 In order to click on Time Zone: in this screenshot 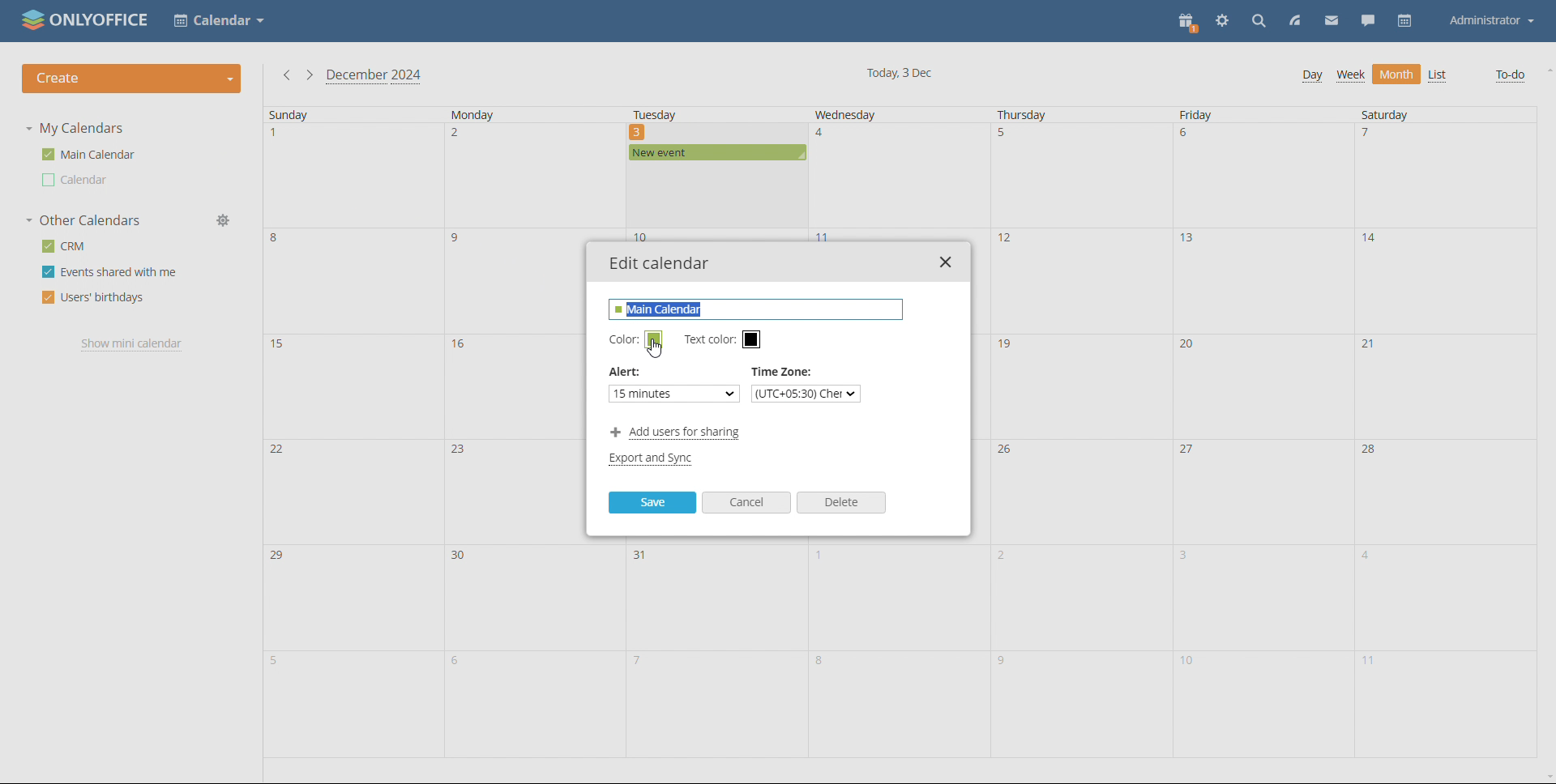, I will do `click(780, 373)`.